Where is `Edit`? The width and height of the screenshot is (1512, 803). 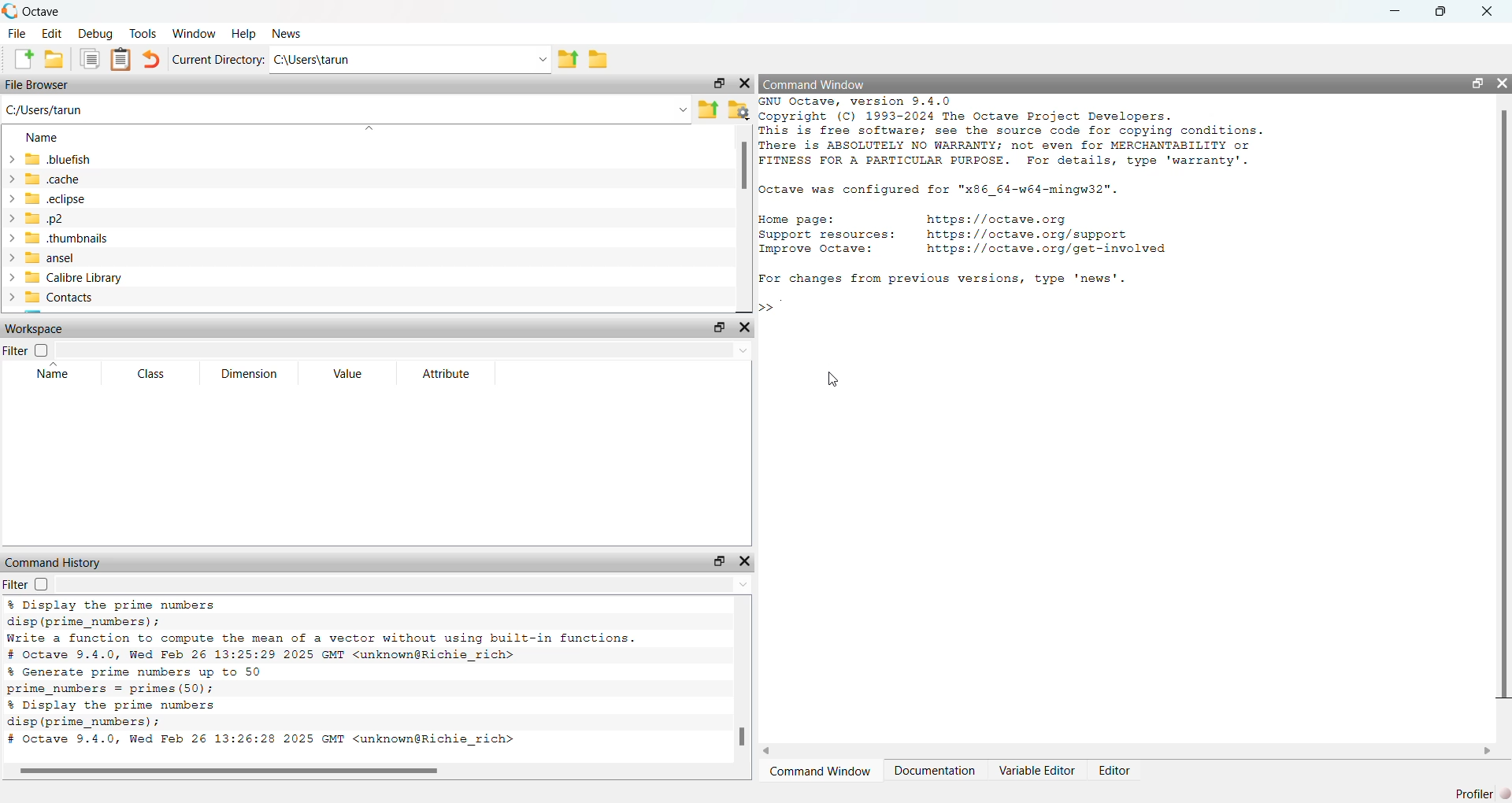
Edit is located at coordinates (51, 33).